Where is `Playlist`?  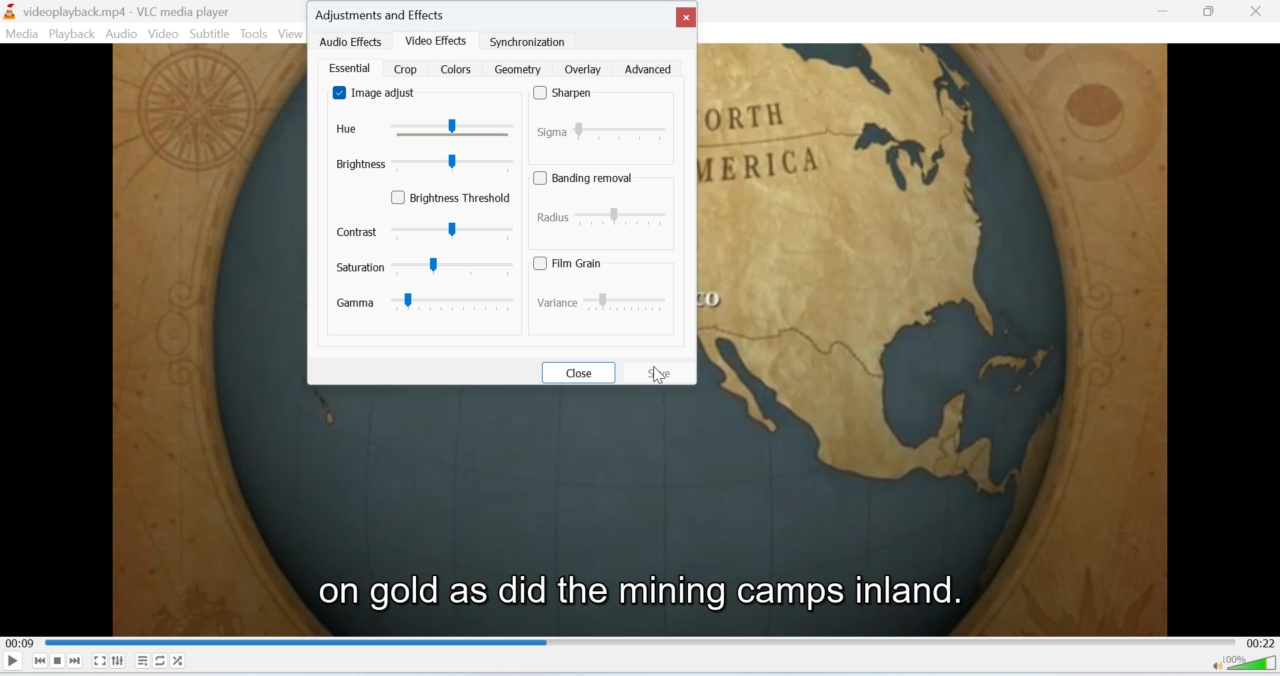 Playlist is located at coordinates (142, 660).